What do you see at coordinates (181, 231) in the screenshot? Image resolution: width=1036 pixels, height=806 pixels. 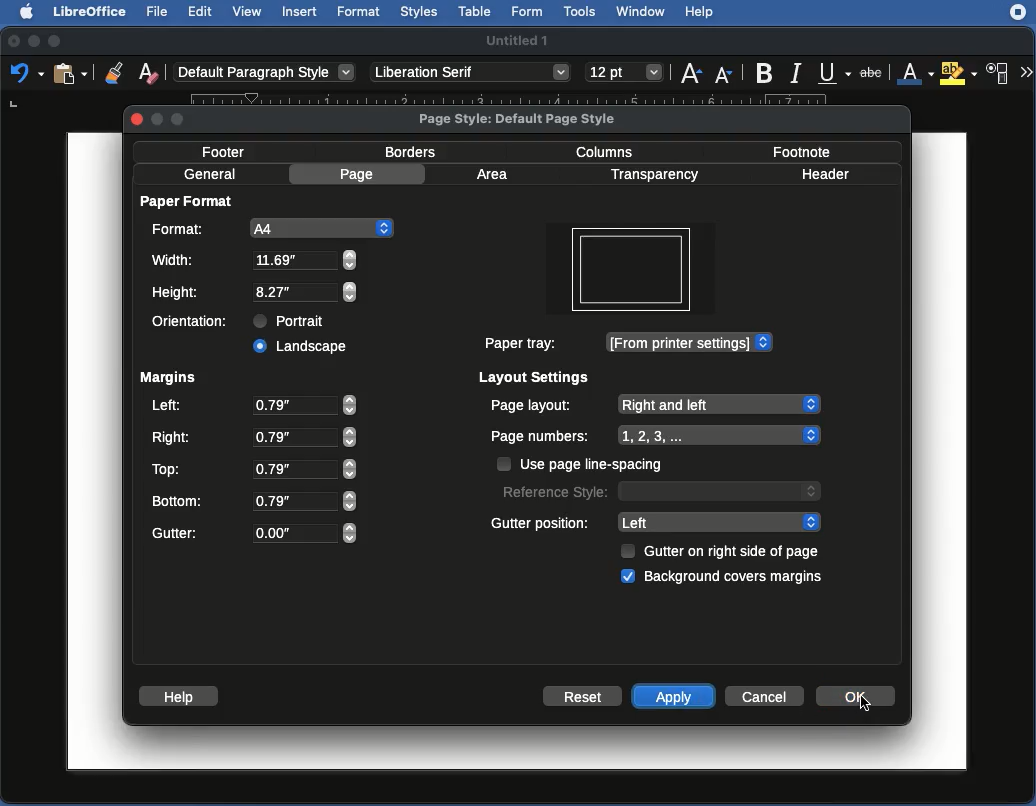 I see `Format` at bounding box center [181, 231].